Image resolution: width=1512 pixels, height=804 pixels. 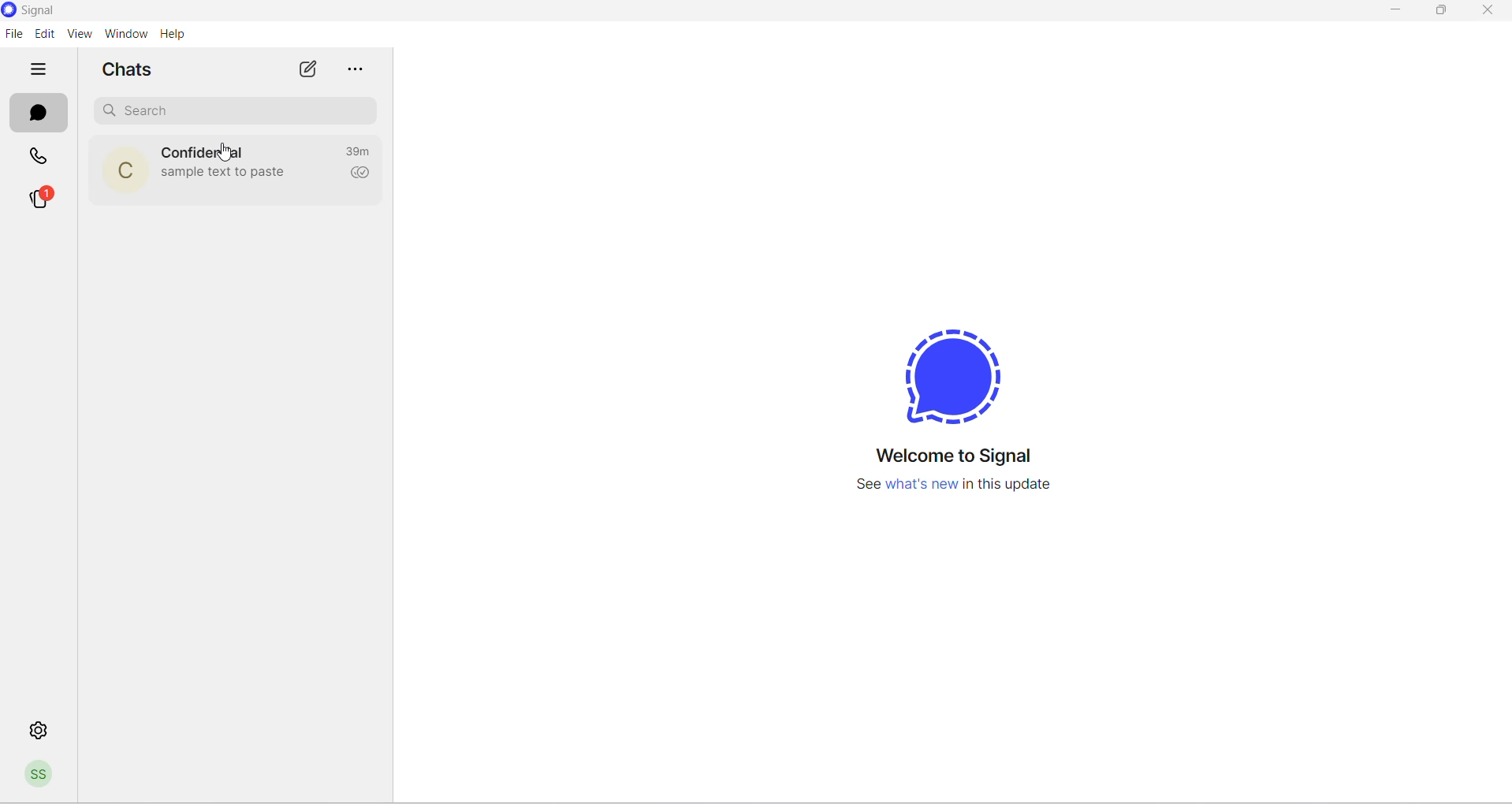 I want to click on hide, so click(x=37, y=70).